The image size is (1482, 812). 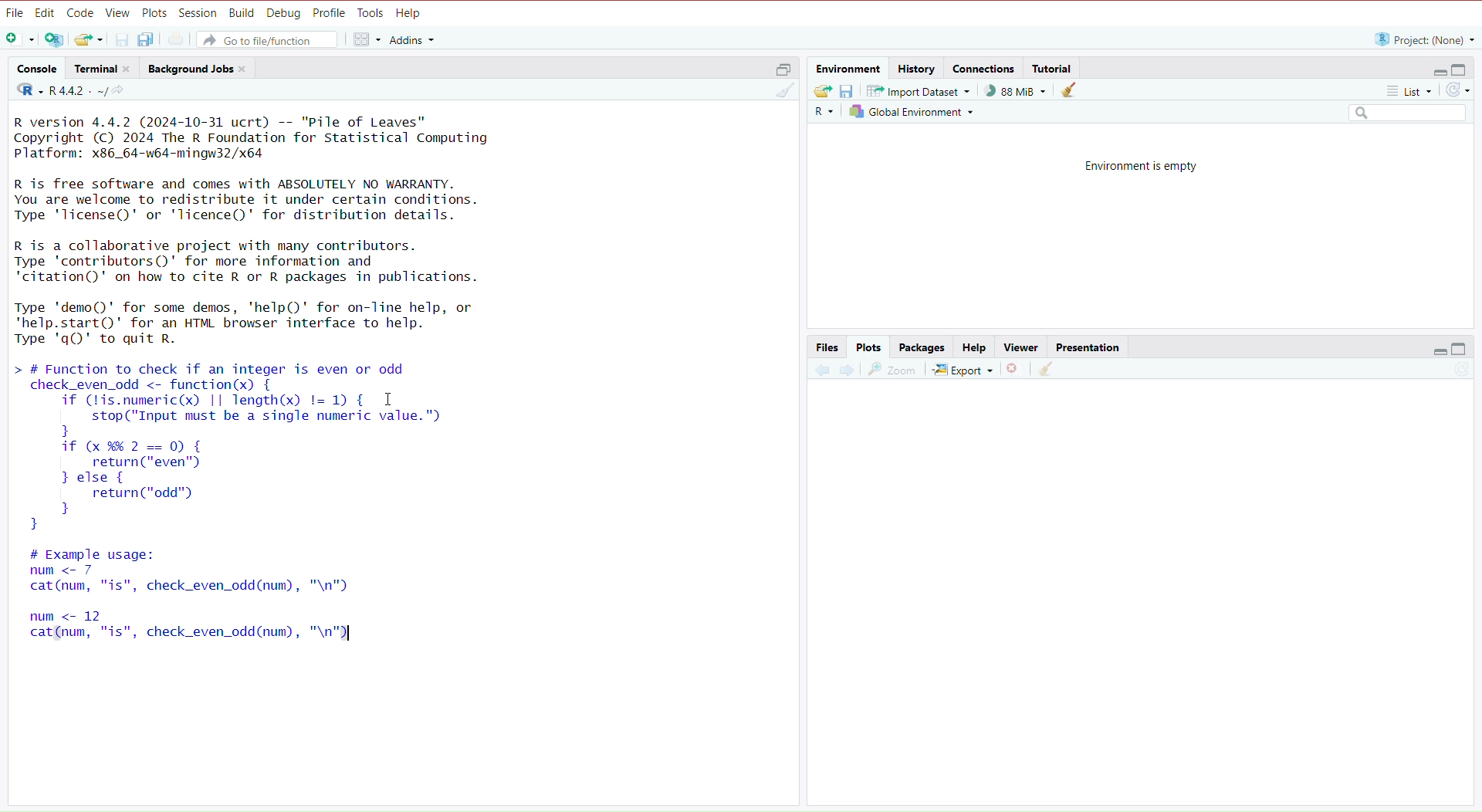 I want to click on connections, so click(x=985, y=70).